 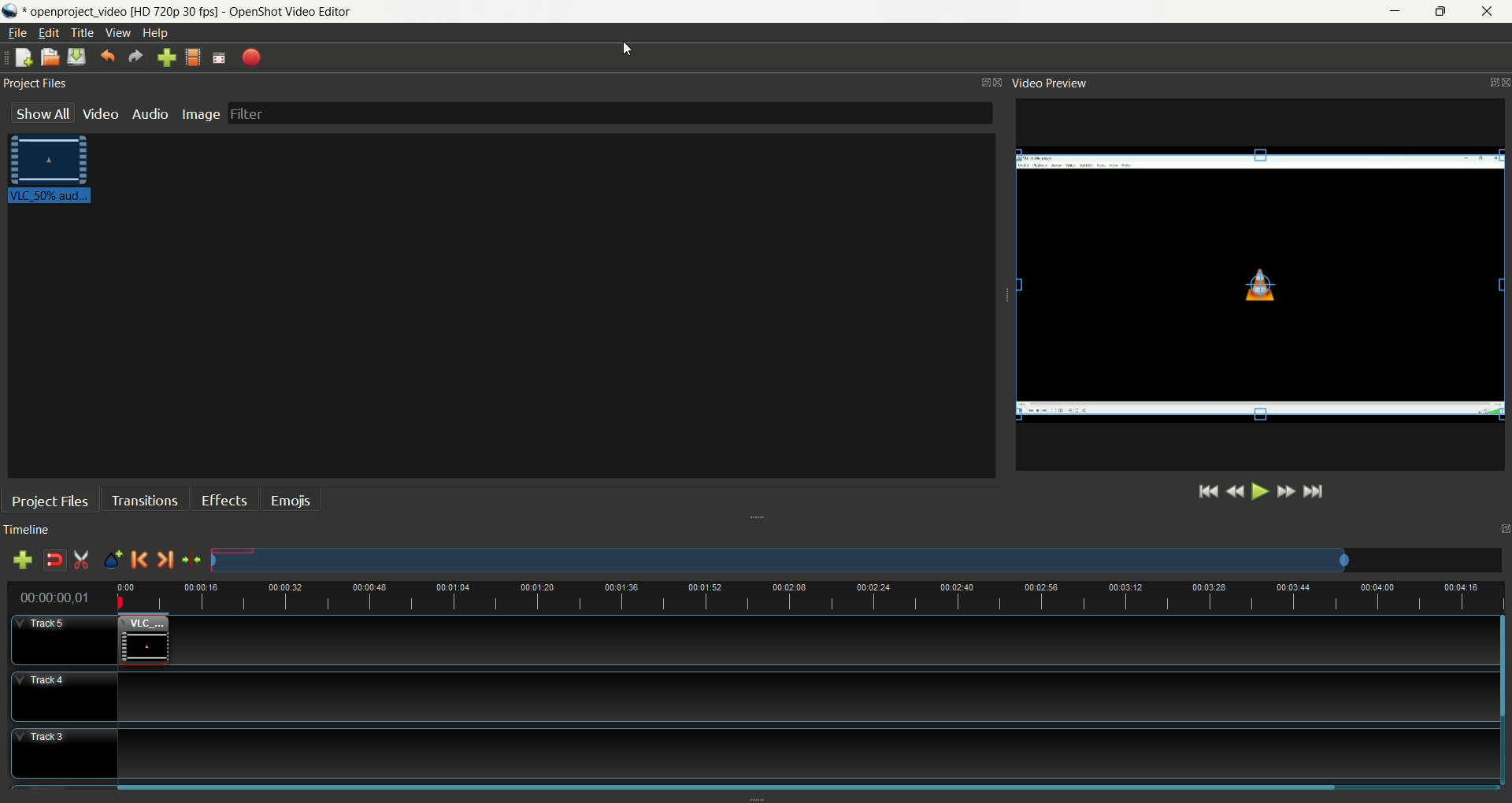 What do you see at coordinates (1287, 491) in the screenshot?
I see `fast forward` at bounding box center [1287, 491].